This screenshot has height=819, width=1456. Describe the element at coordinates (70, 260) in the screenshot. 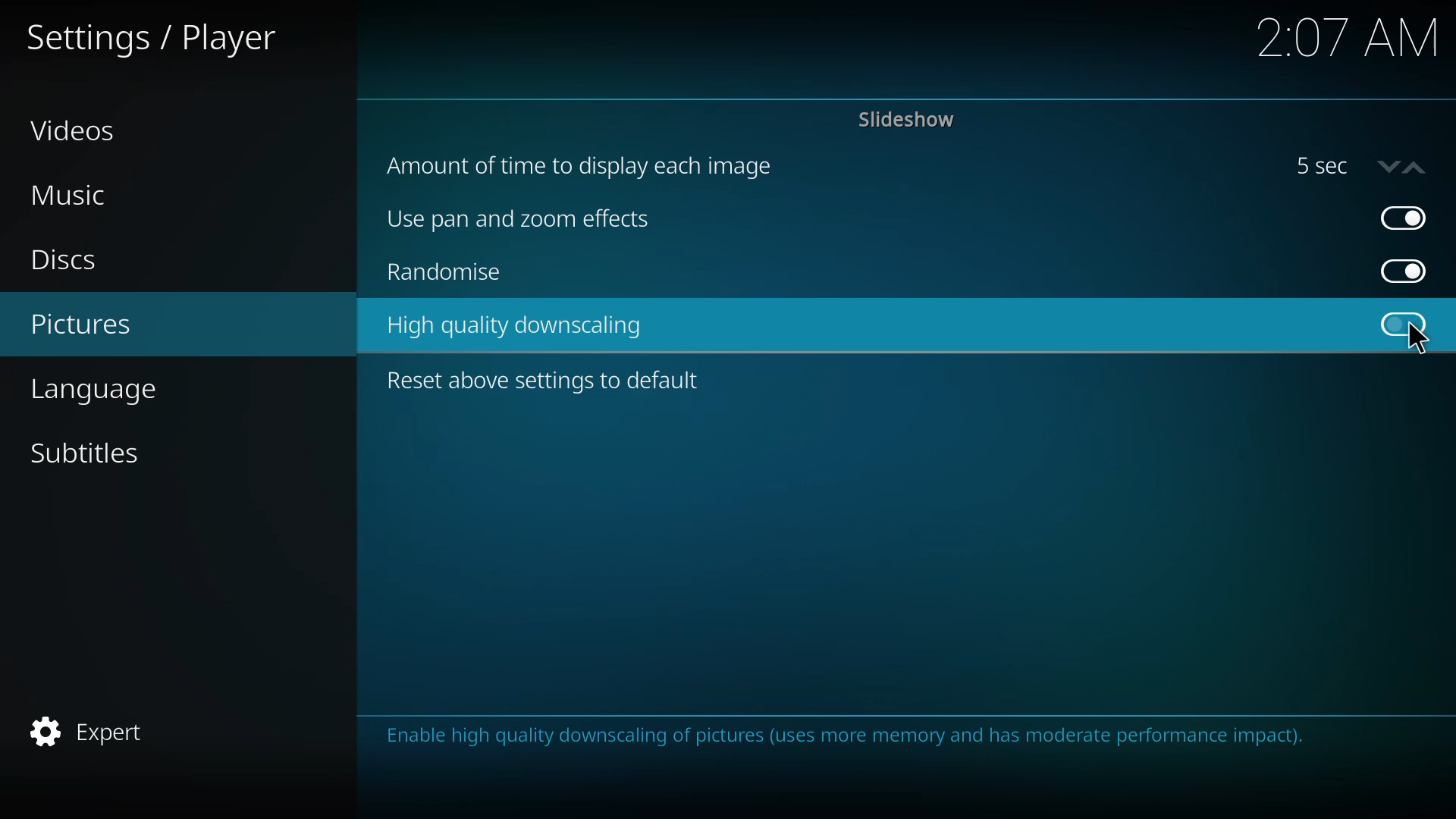

I see `discs` at that location.